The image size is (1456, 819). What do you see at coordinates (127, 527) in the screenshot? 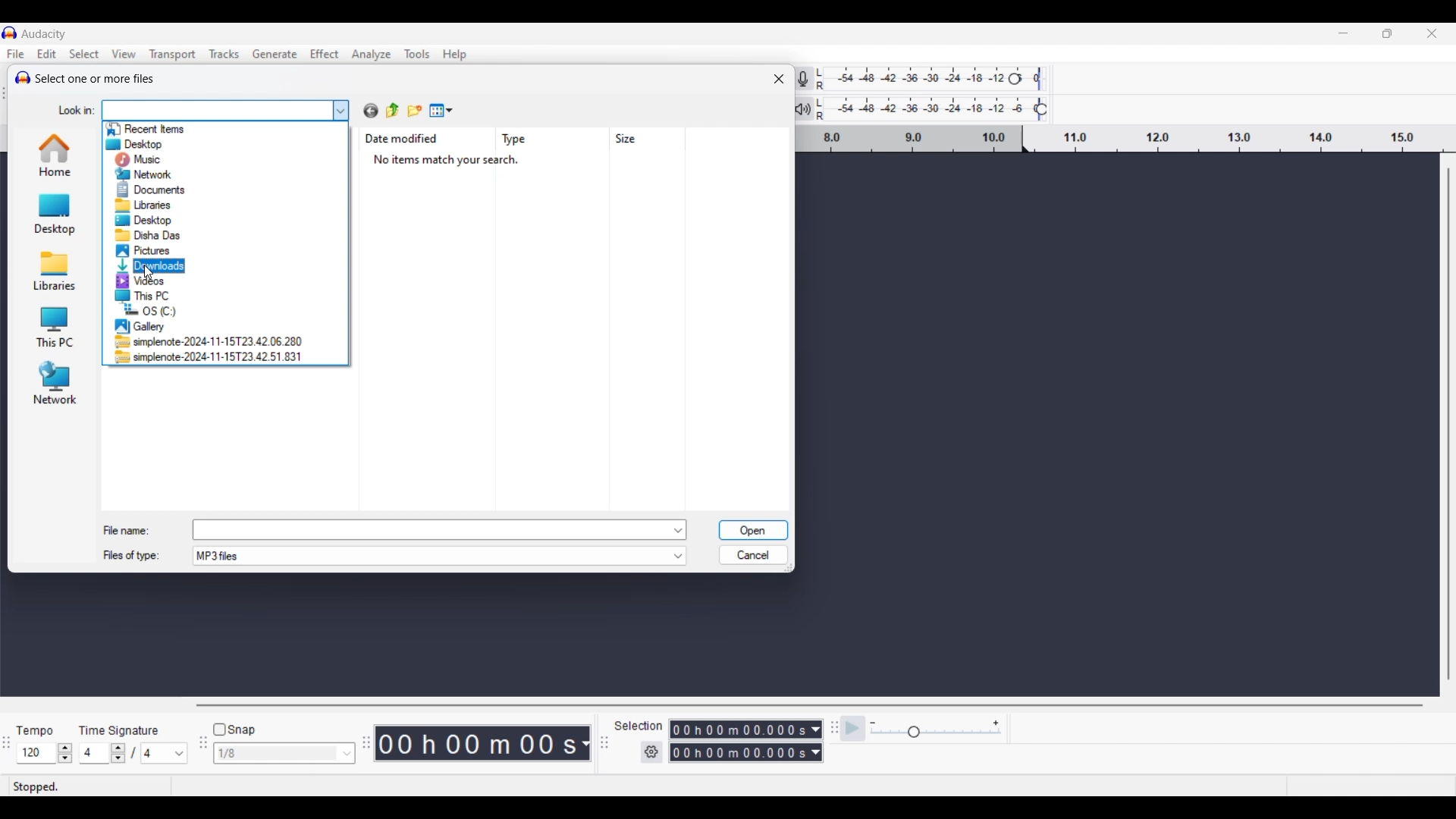
I see `File name:` at bounding box center [127, 527].